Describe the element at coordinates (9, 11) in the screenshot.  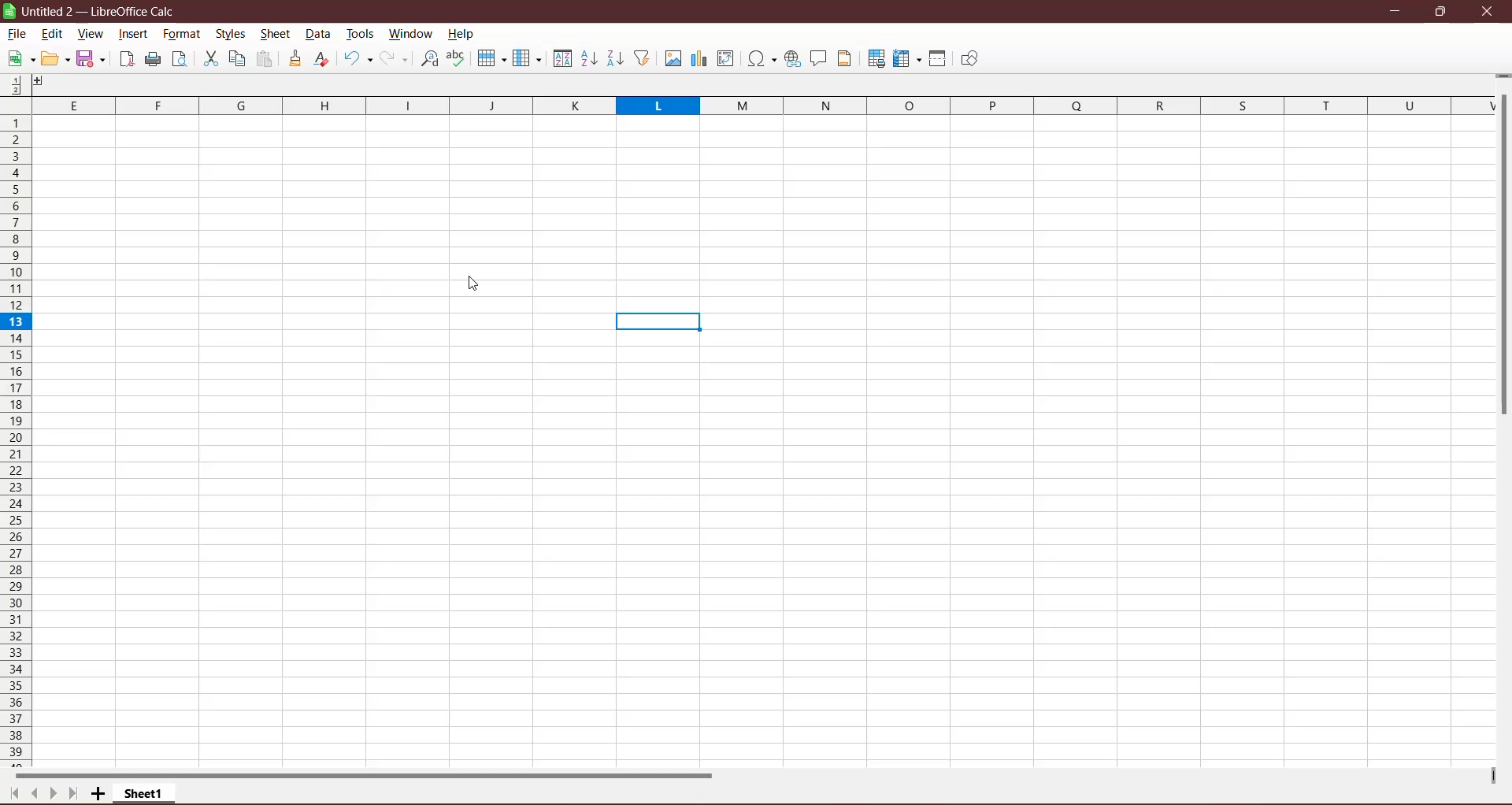
I see `Application Logo` at that location.